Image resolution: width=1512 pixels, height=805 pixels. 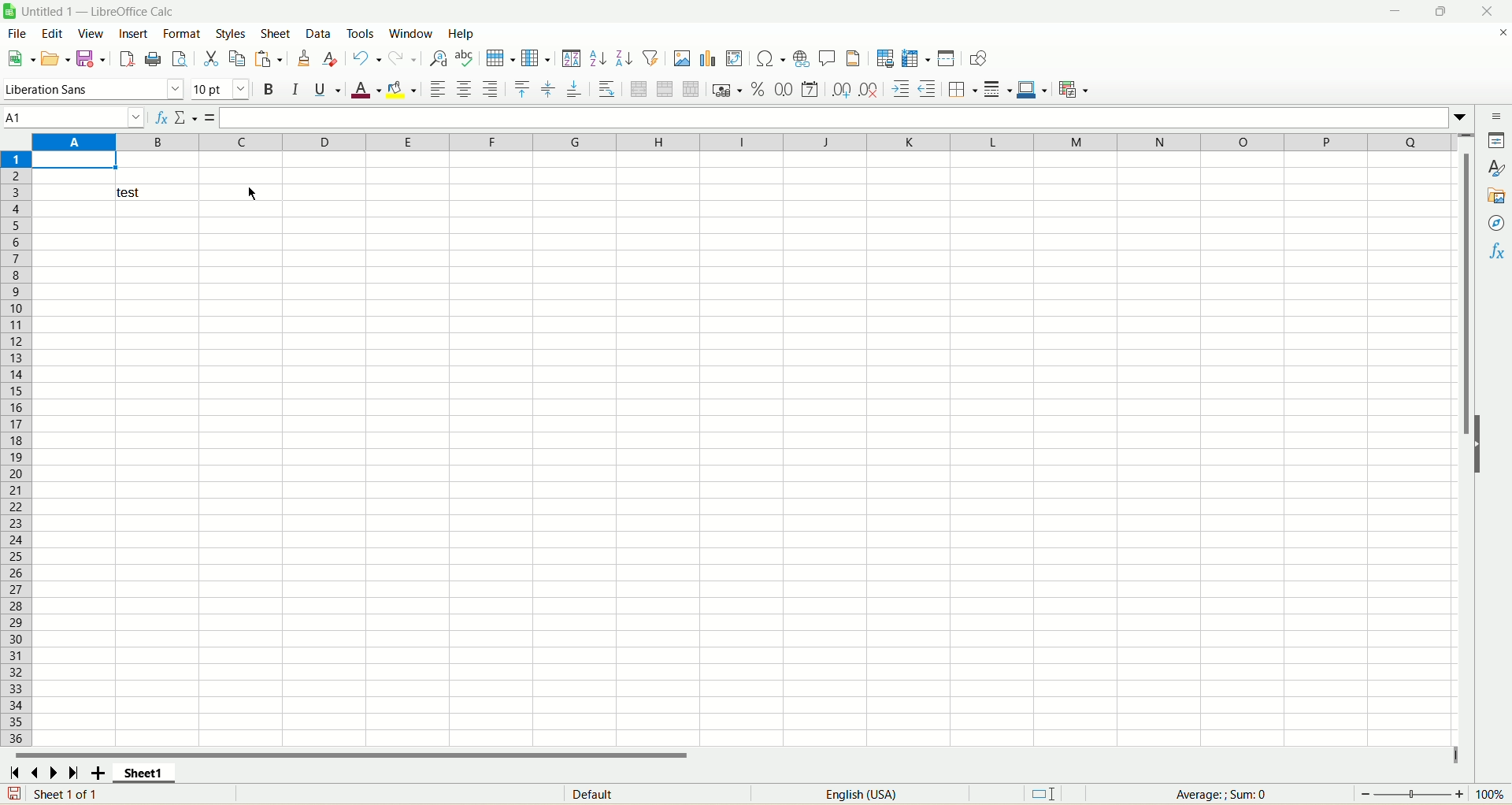 I want to click on pivot table, so click(x=734, y=58).